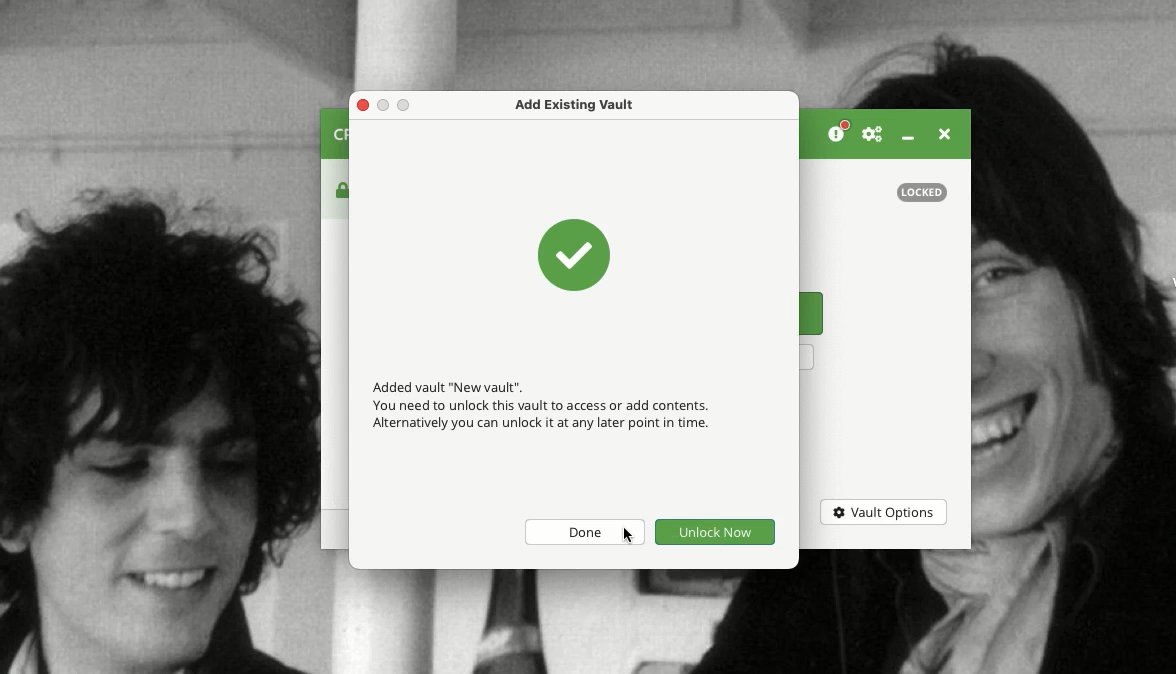 Image resolution: width=1176 pixels, height=674 pixels. What do you see at coordinates (584, 532) in the screenshot?
I see `Done` at bounding box center [584, 532].